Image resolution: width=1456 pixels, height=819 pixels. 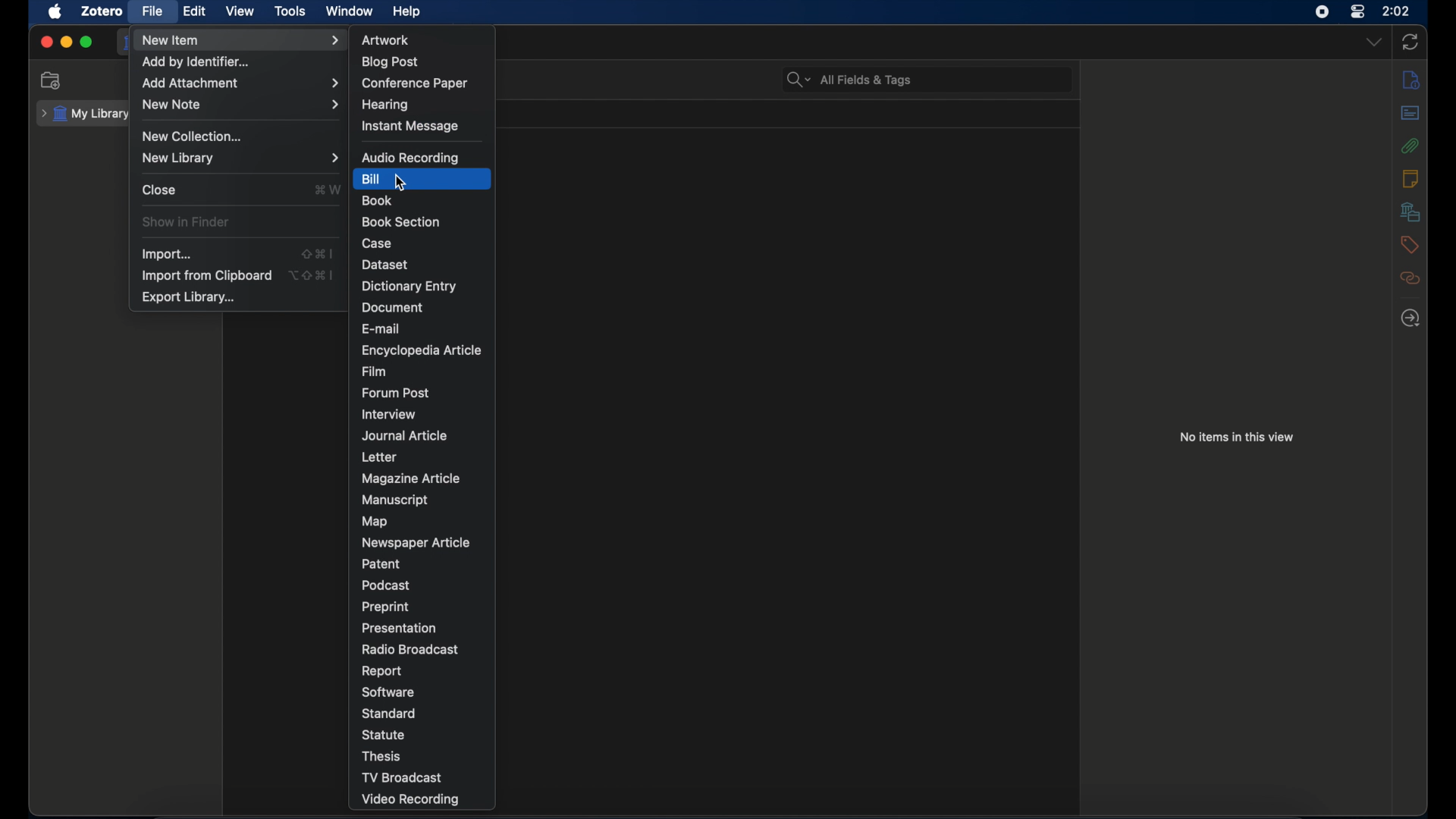 I want to click on sync, so click(x=1411, y=42).